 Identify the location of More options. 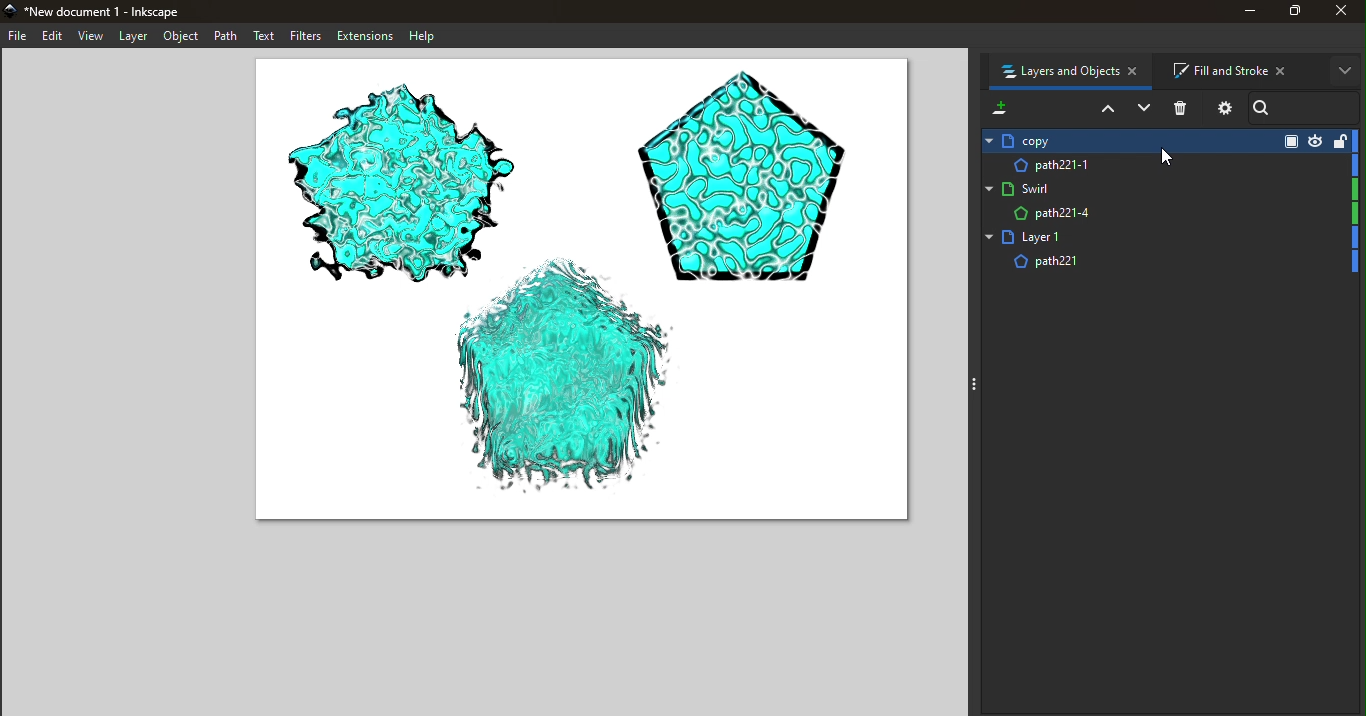
(1345, 71).